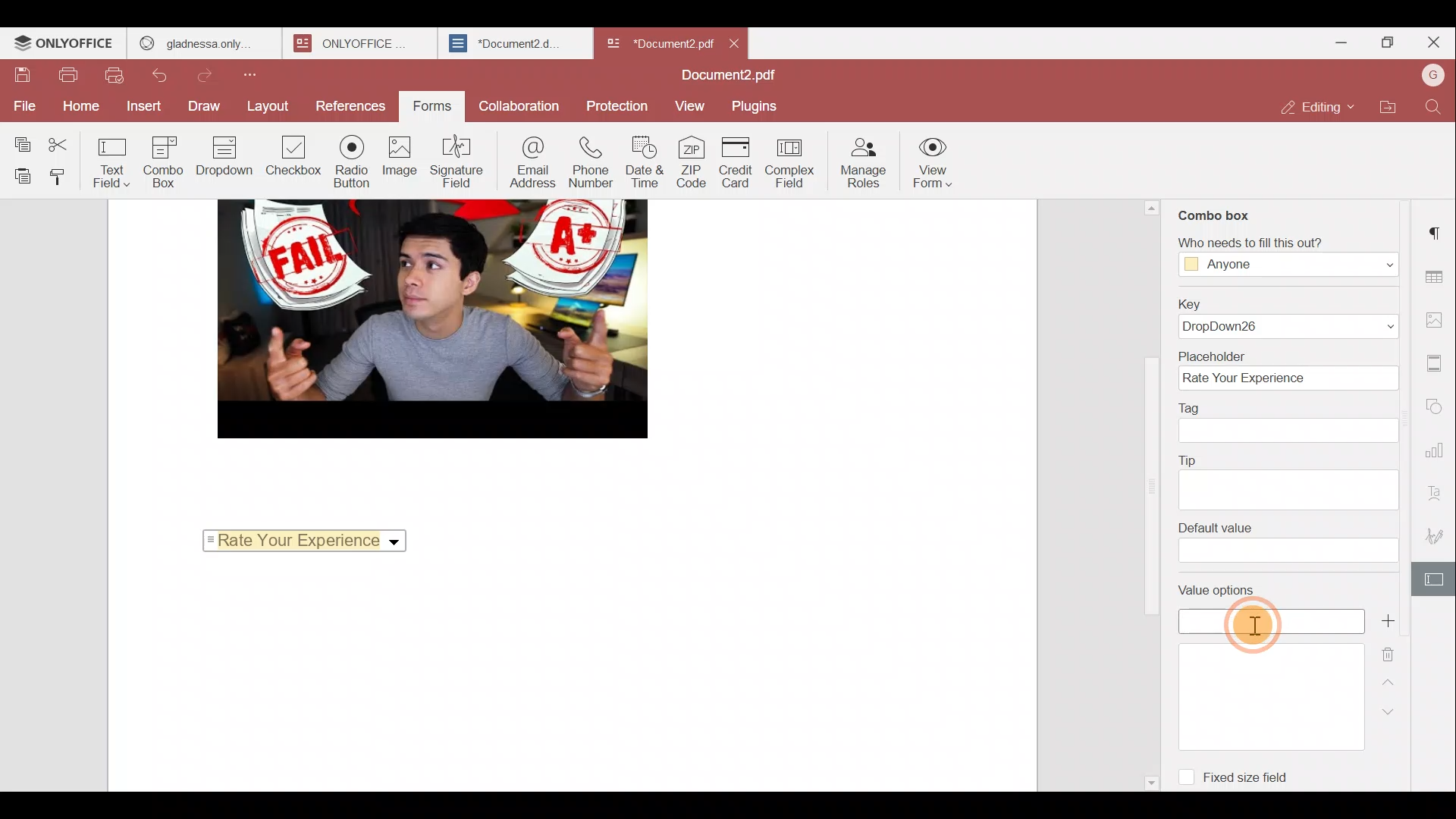 The width and height of the screenshot is (1456, 819). Describe the element at coordinates (20, 176) in the screenshot. I see `Paste` at that location.